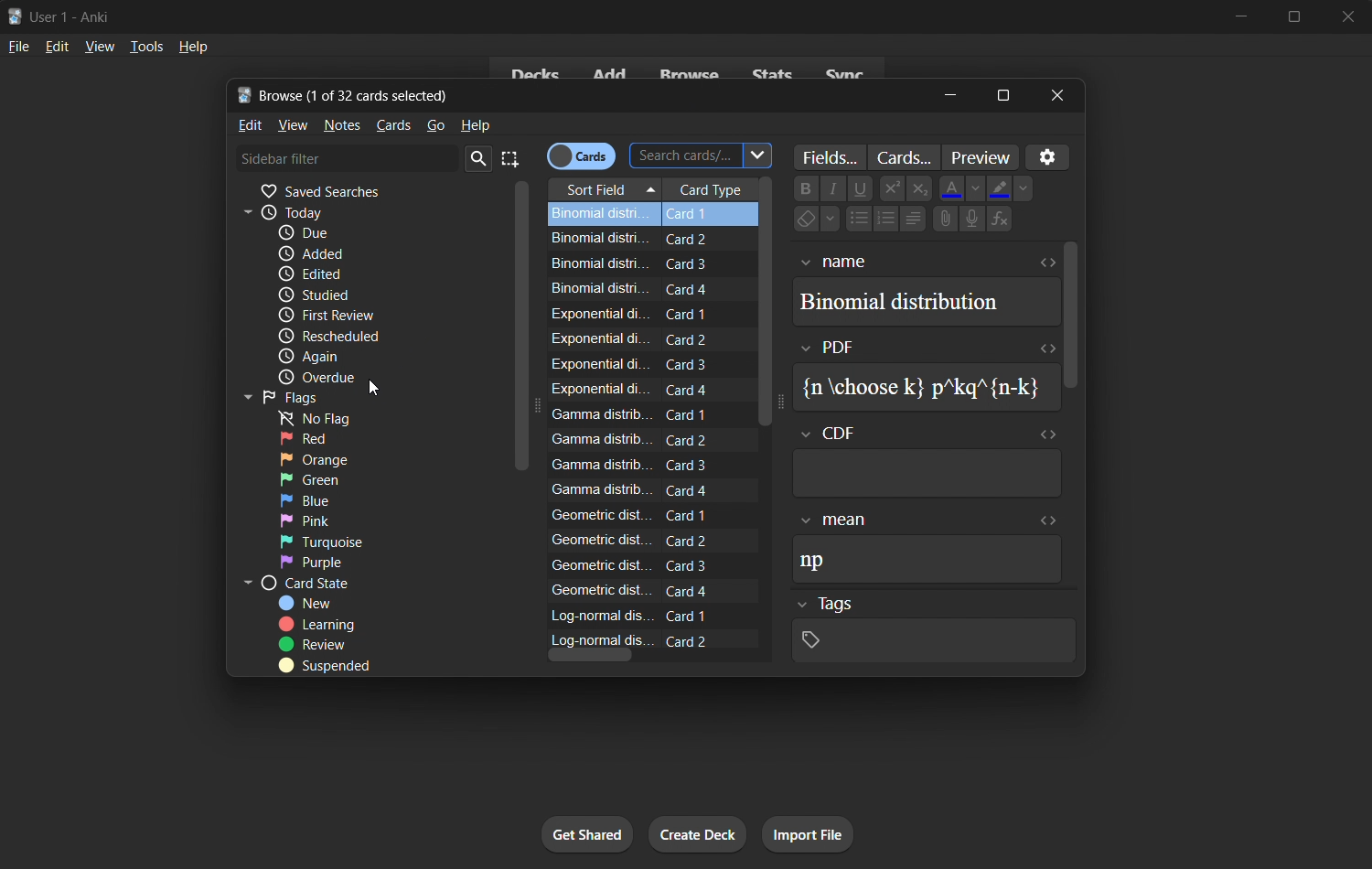 This screenshot has height=869, width=1372. I want to click on rescheduled, so click(341, 337).